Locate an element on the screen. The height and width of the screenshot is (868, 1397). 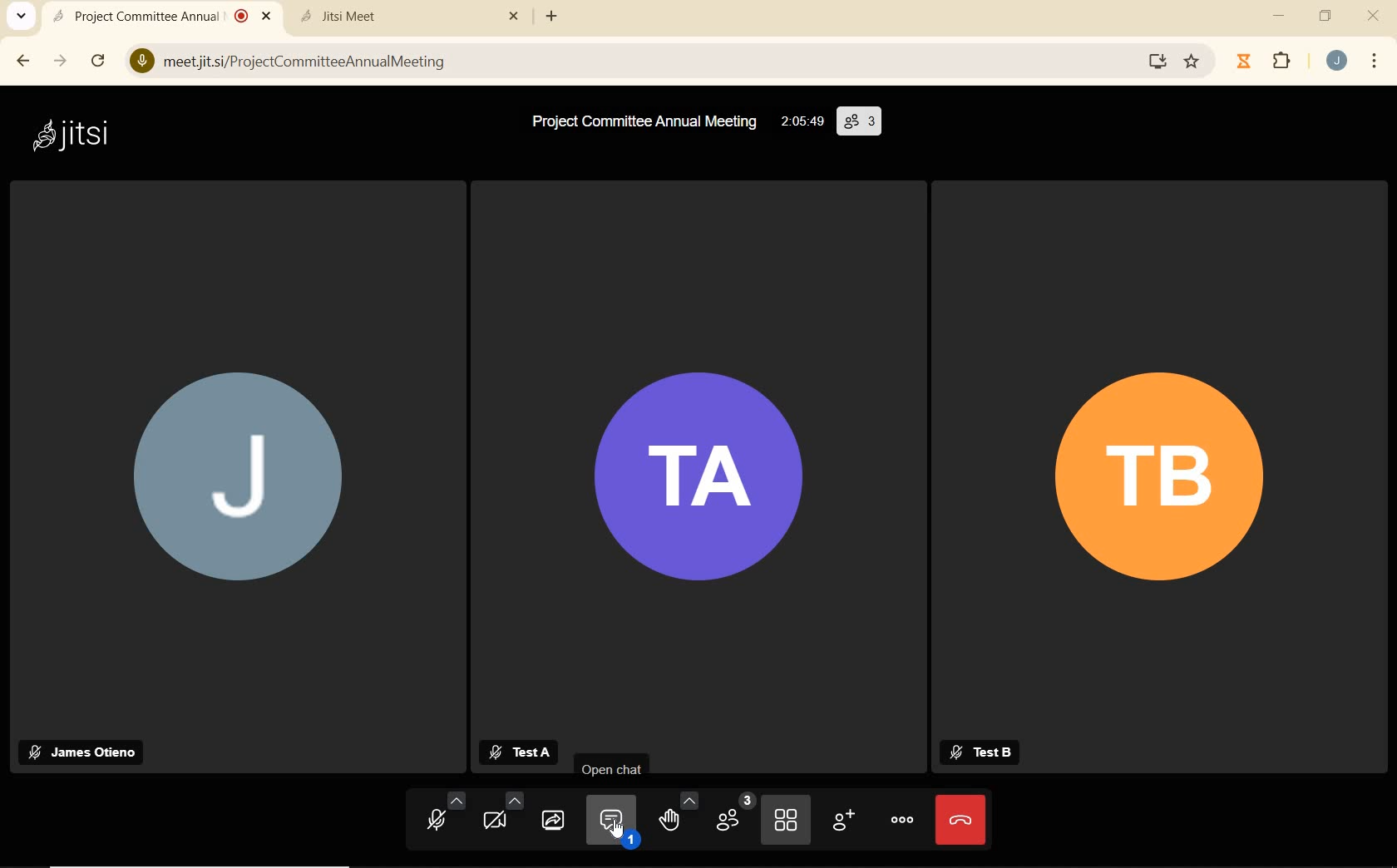
jitsi is located at coordinates (80, 138).